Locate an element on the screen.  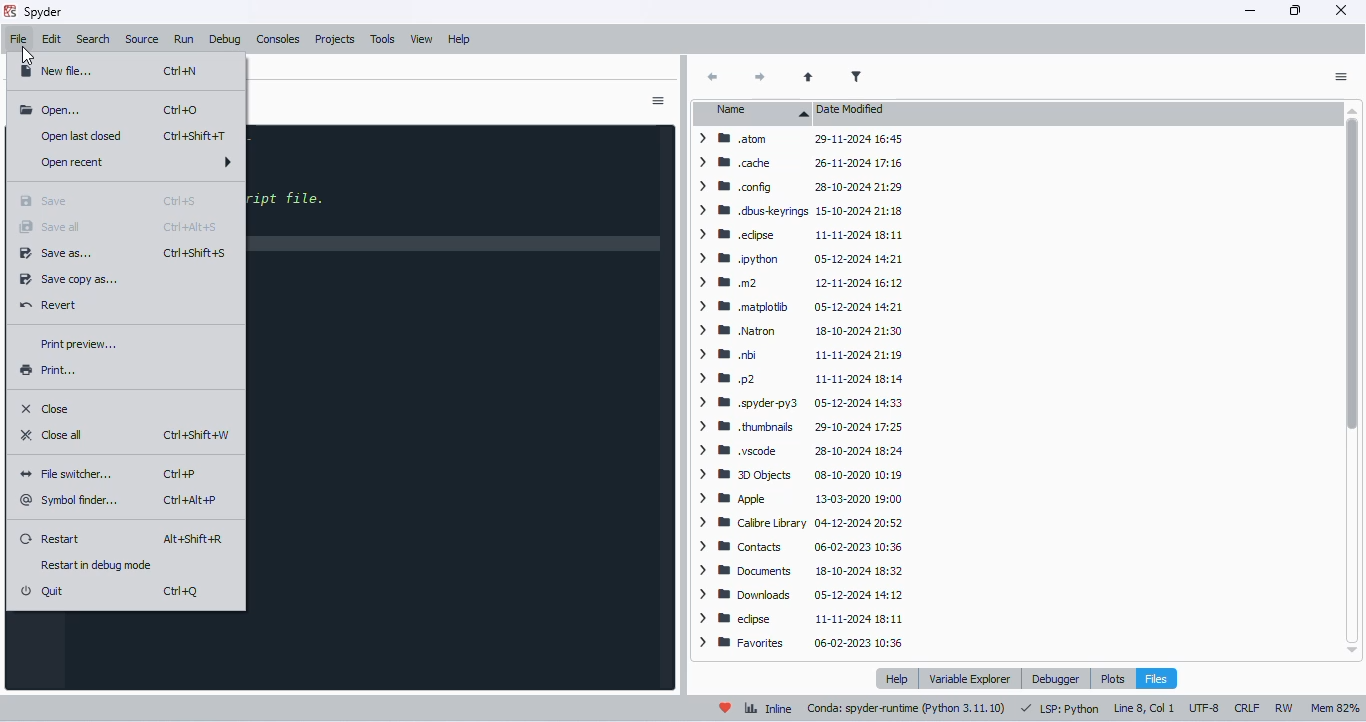
> Documents 18-10-2024 18:32 is located at coordinates (797, 571).